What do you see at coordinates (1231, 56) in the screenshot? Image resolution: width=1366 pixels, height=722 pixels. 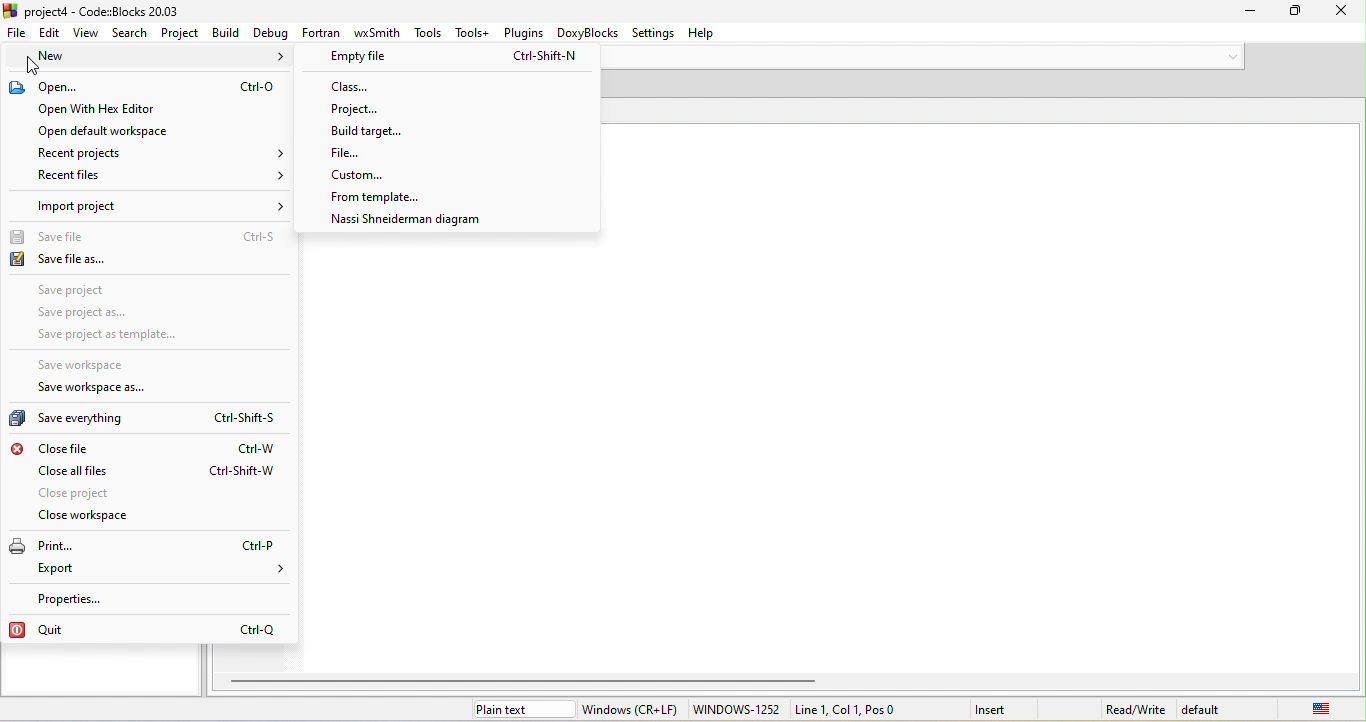 I see `down` at bounding box center [1231, 56].